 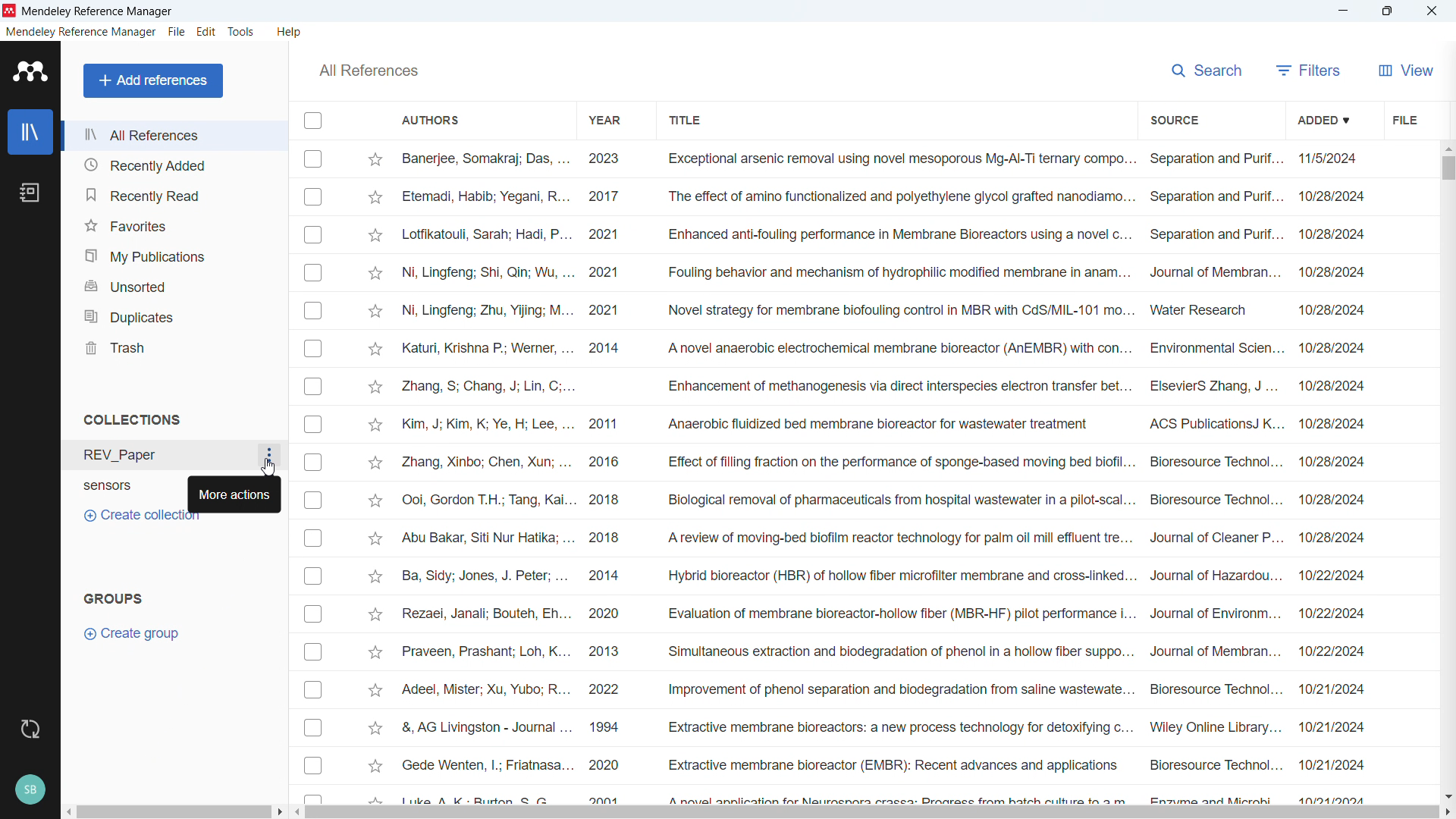 What do you see at coordinates (375, 388) in the screenshot?
I see `Star mark respective publication` at bounding box center [375, 388].